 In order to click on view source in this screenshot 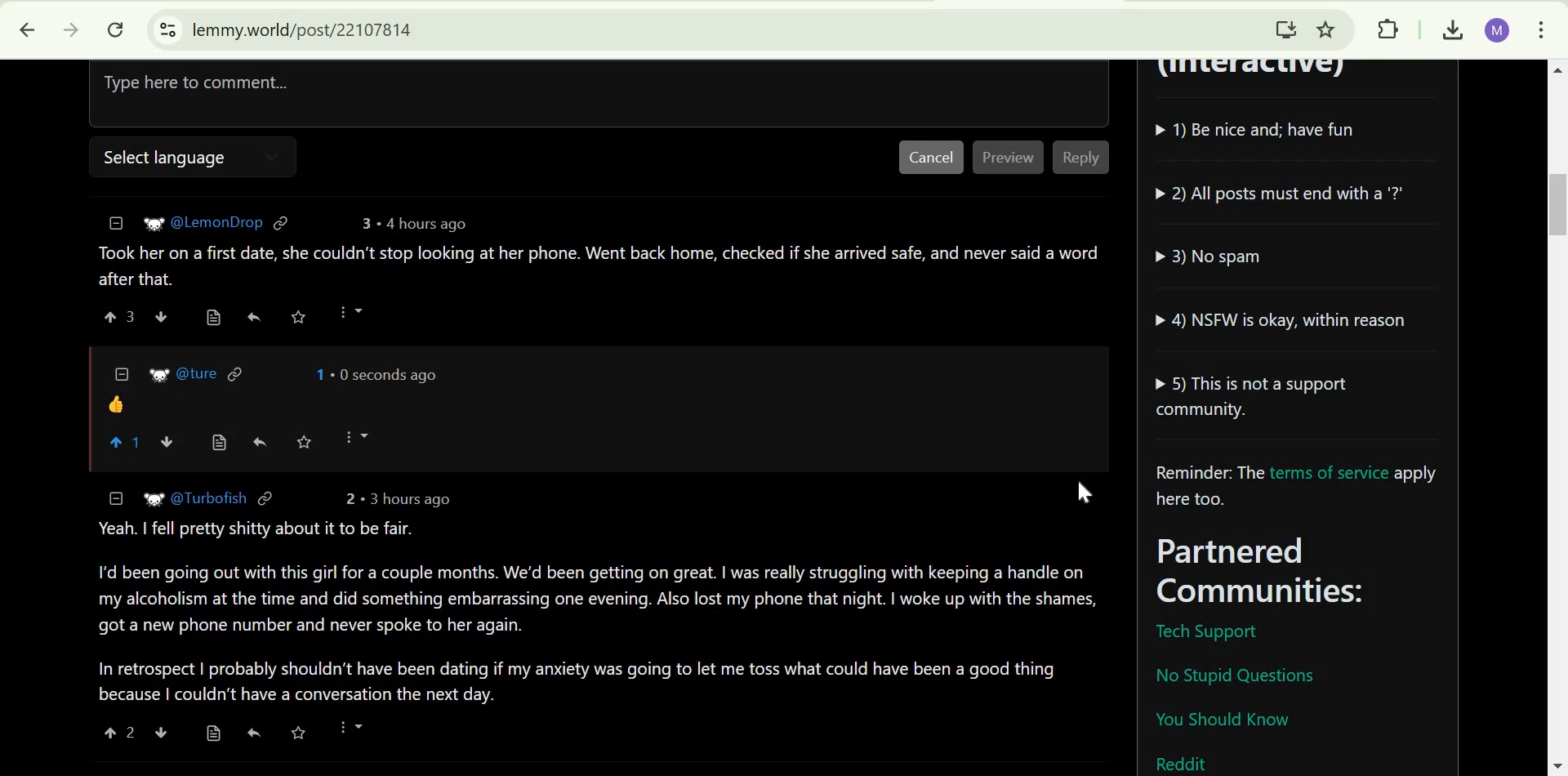, I will do `click(220, 443)`.